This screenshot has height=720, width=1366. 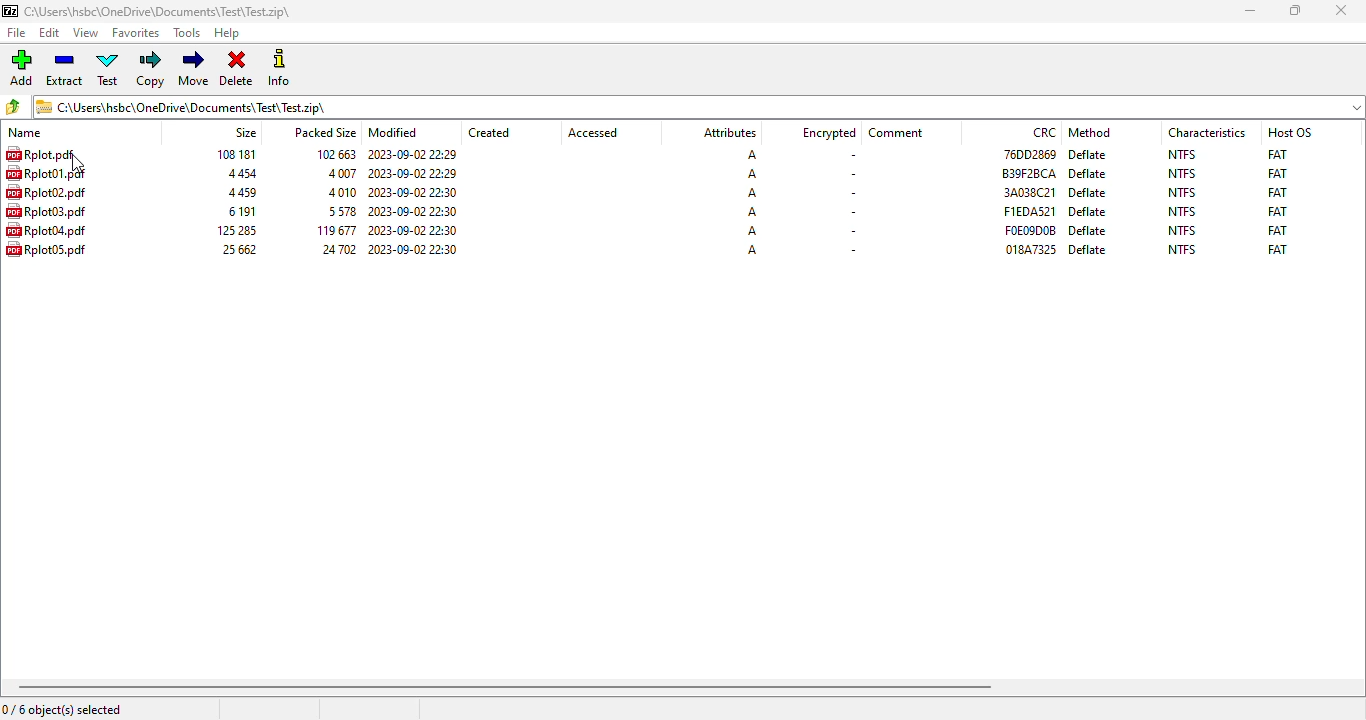 I want to click on cursor, so click(x=78, y=164).